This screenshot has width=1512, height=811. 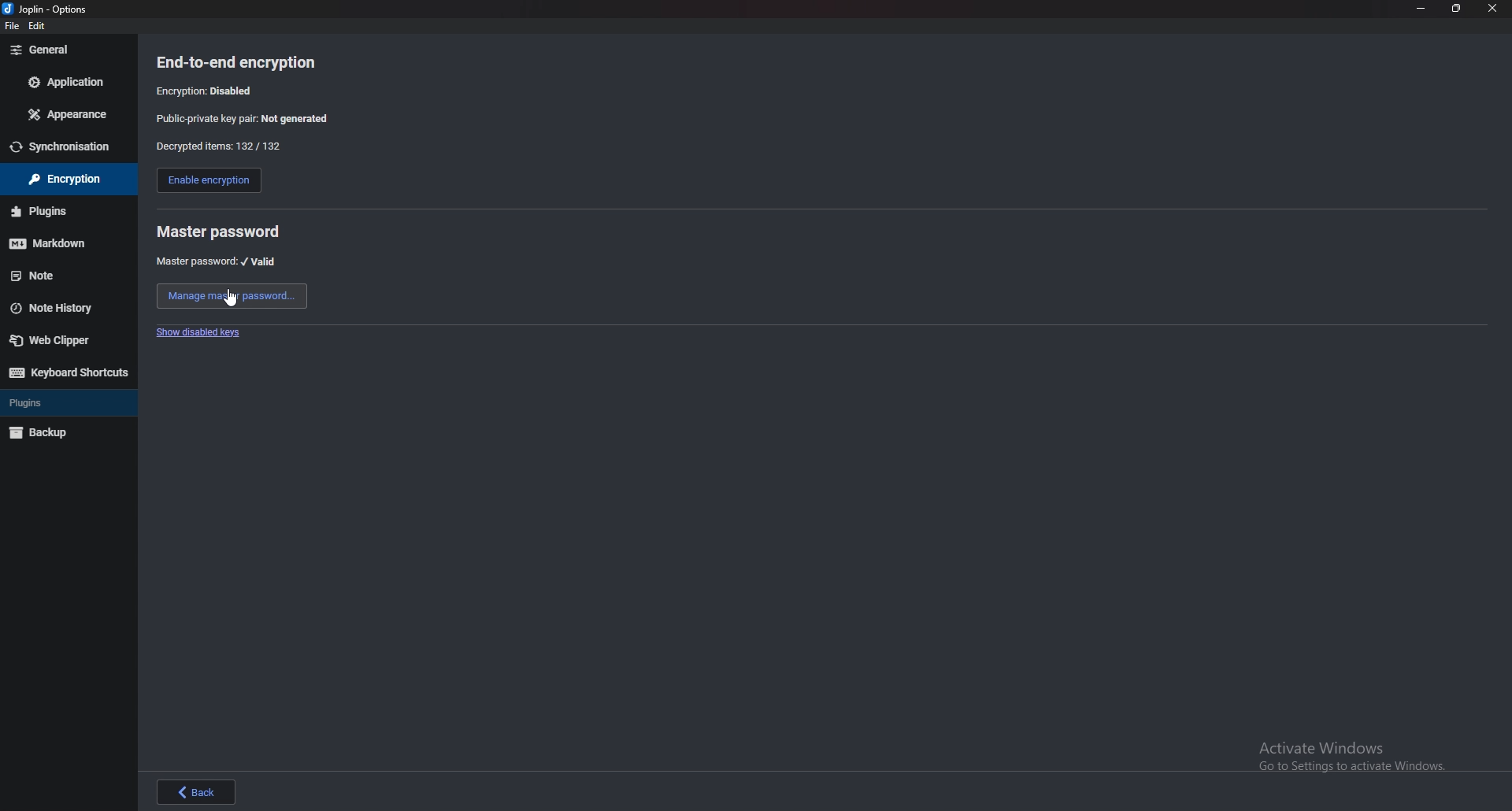 What do you see at coordinates (64, 307) in the screenshot?
I see `note history` at bounding box center [64, 307].